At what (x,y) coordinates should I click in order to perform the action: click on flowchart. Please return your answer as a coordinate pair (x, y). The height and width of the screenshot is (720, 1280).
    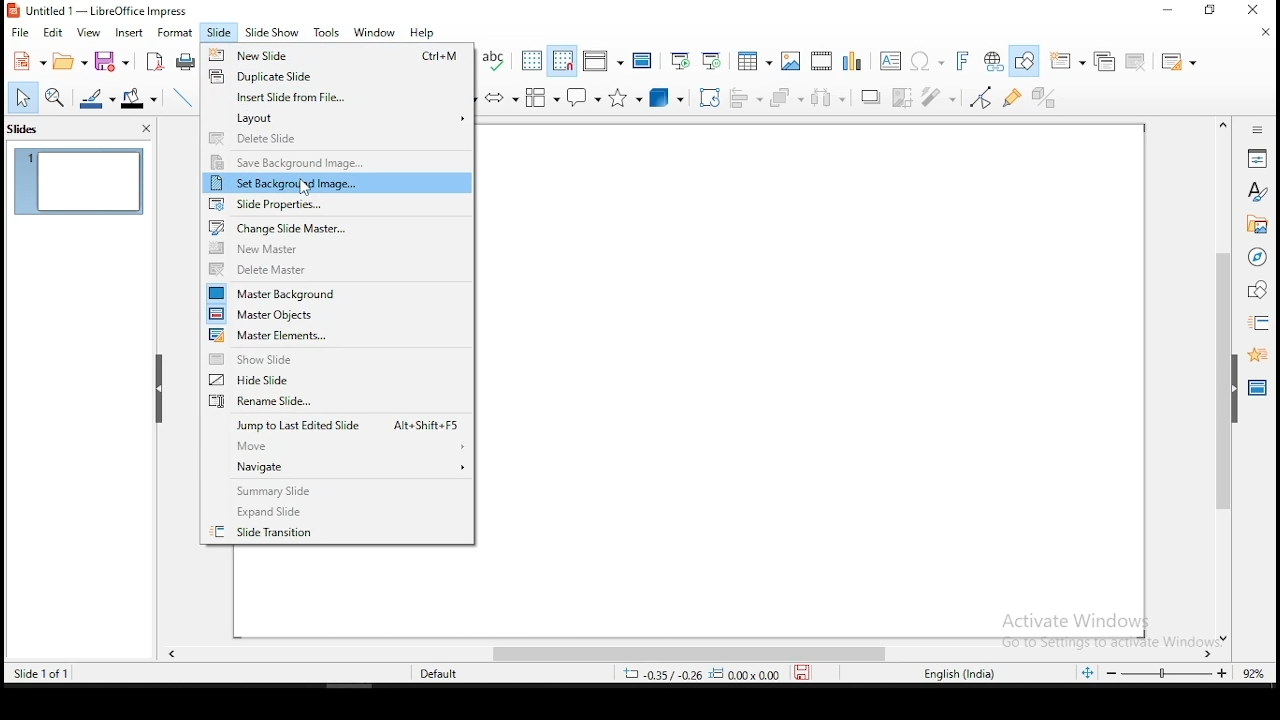
    Looking at the image, I should click on (542, 97).